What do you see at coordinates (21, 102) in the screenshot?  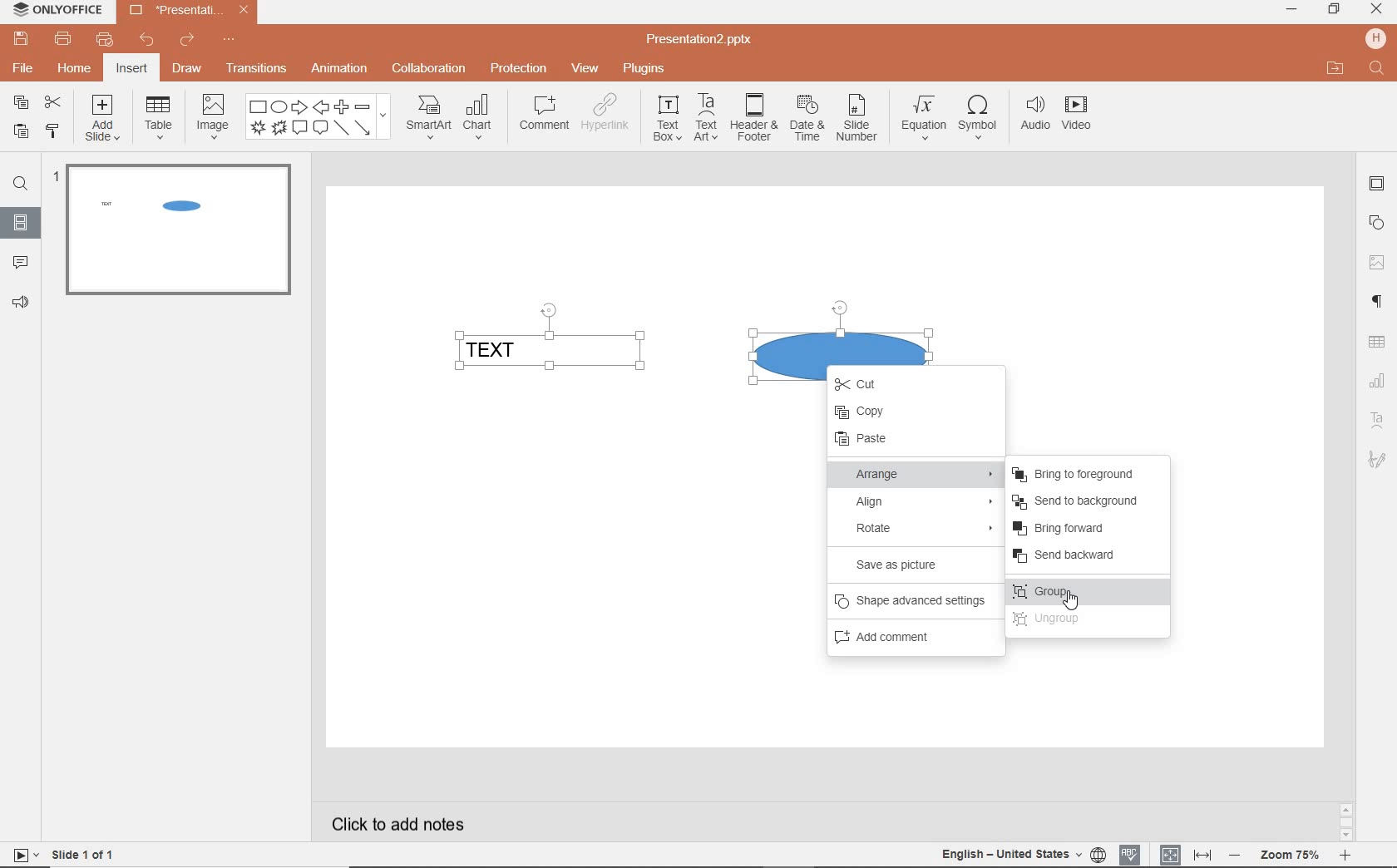 I see `copy` at bounding box center [21, 102].